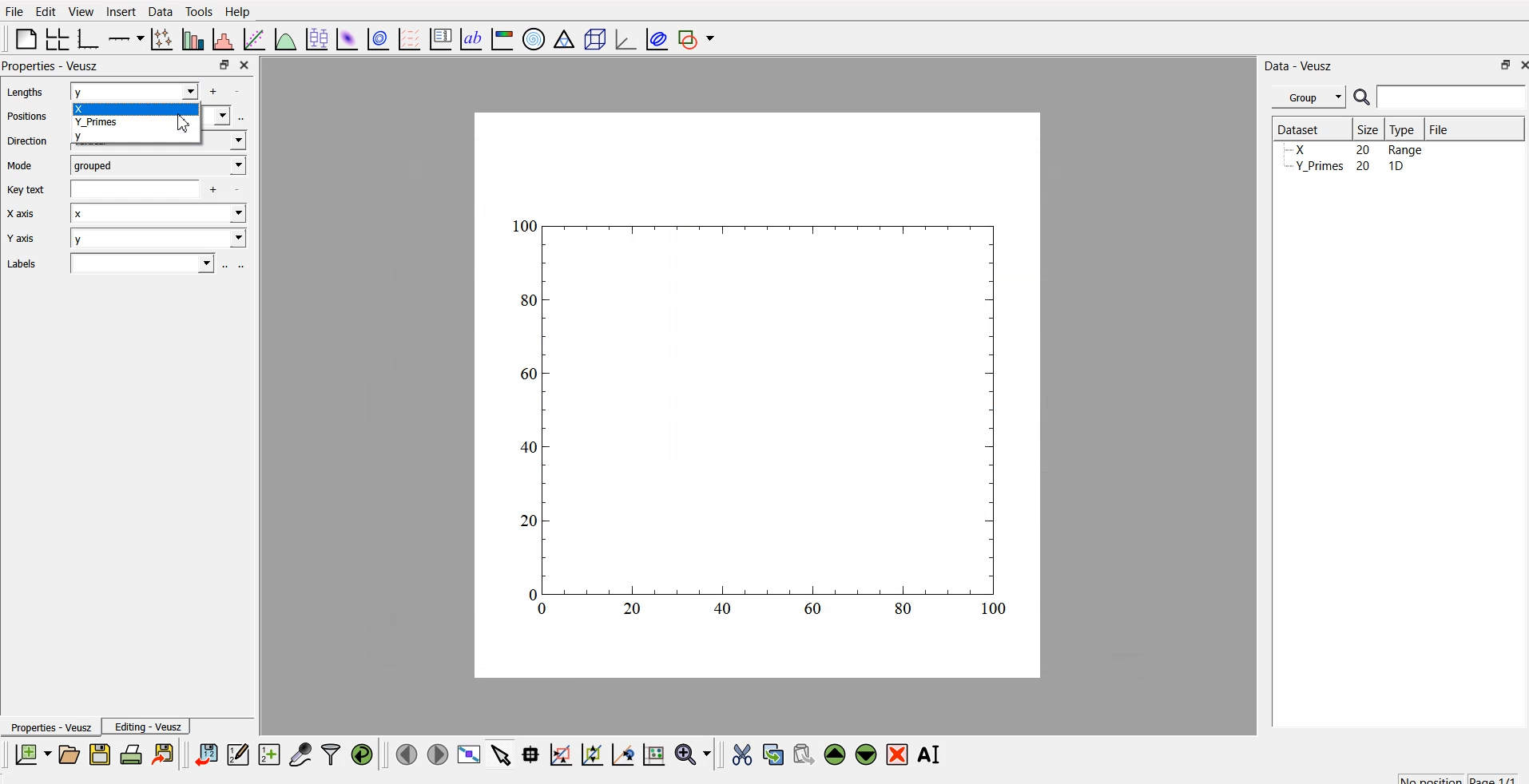 The width and height of the screenshot is (1529, 784). What do you see at coordinates (241, 11) in the screenshot?
I see `Help` at bounding box center [241, 11].